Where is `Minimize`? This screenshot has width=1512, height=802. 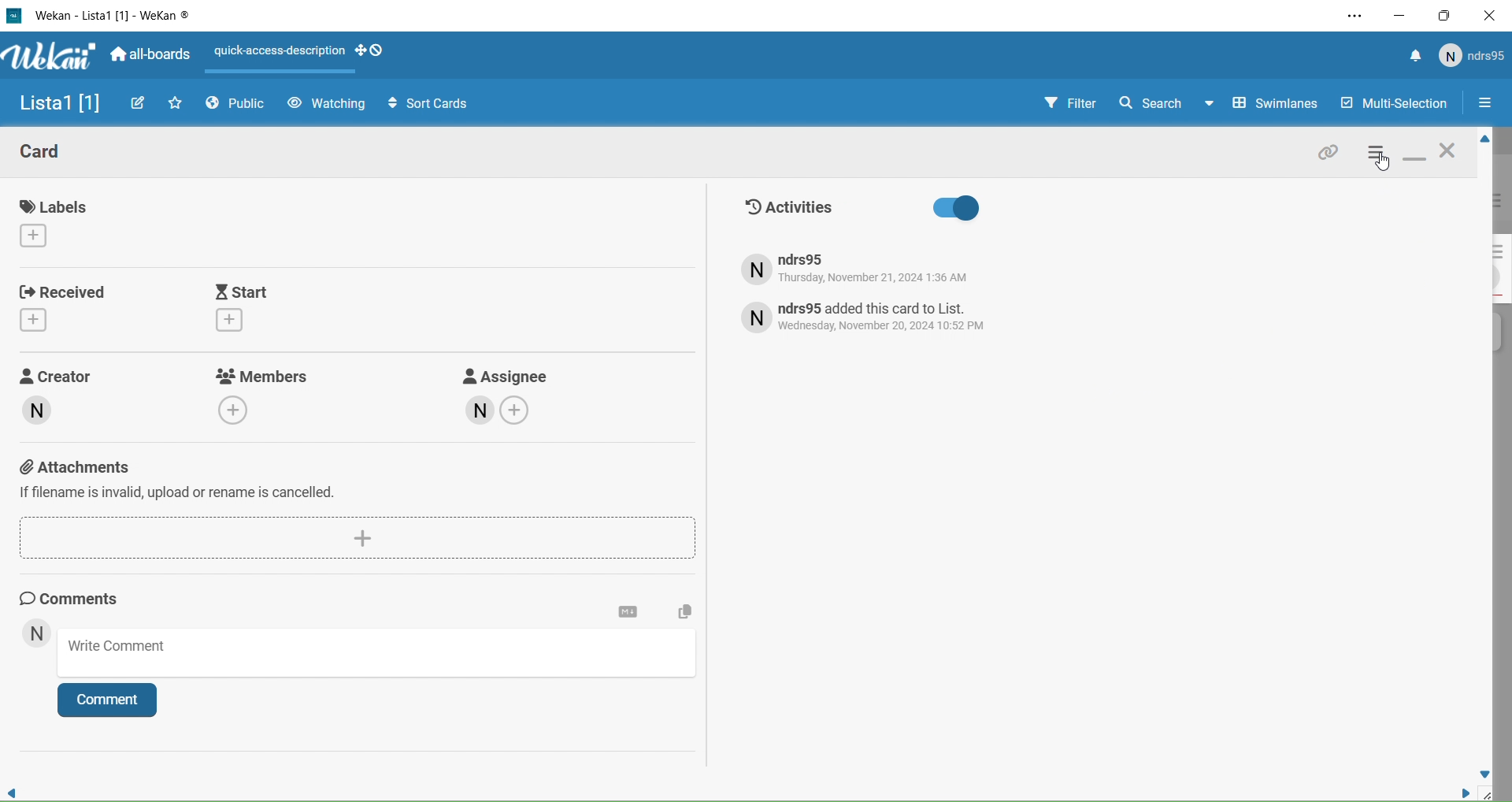
Minimize is located at coordinates (1405, 16).